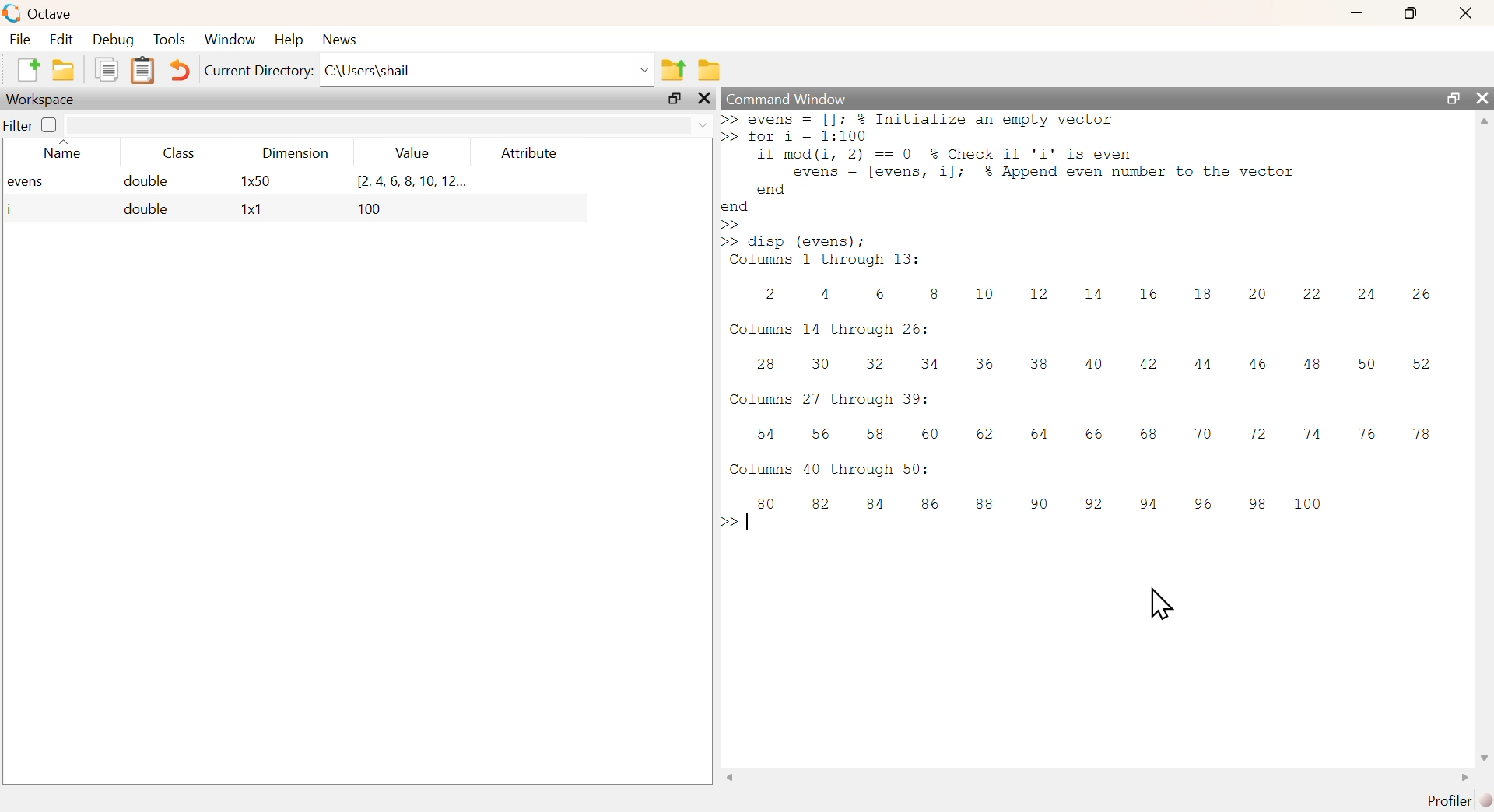 The height and width of the screenshot is (812, 1494). What do you see at coordinates (40, 14) in the screenshot?
I see `octave` at bounding box center [40, 14].